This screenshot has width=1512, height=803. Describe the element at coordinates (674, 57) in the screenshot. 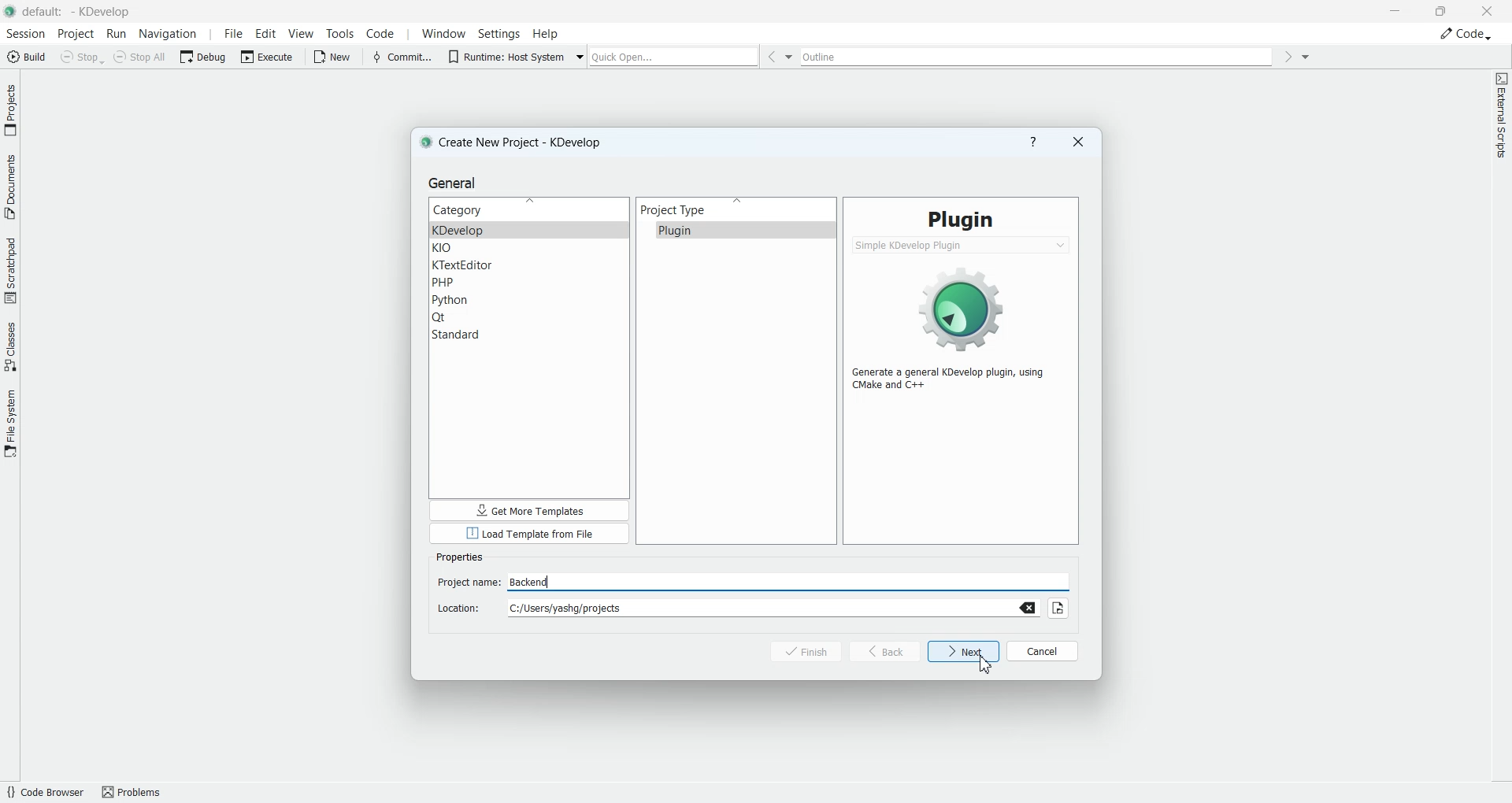

I see `Quick open ` at that location.